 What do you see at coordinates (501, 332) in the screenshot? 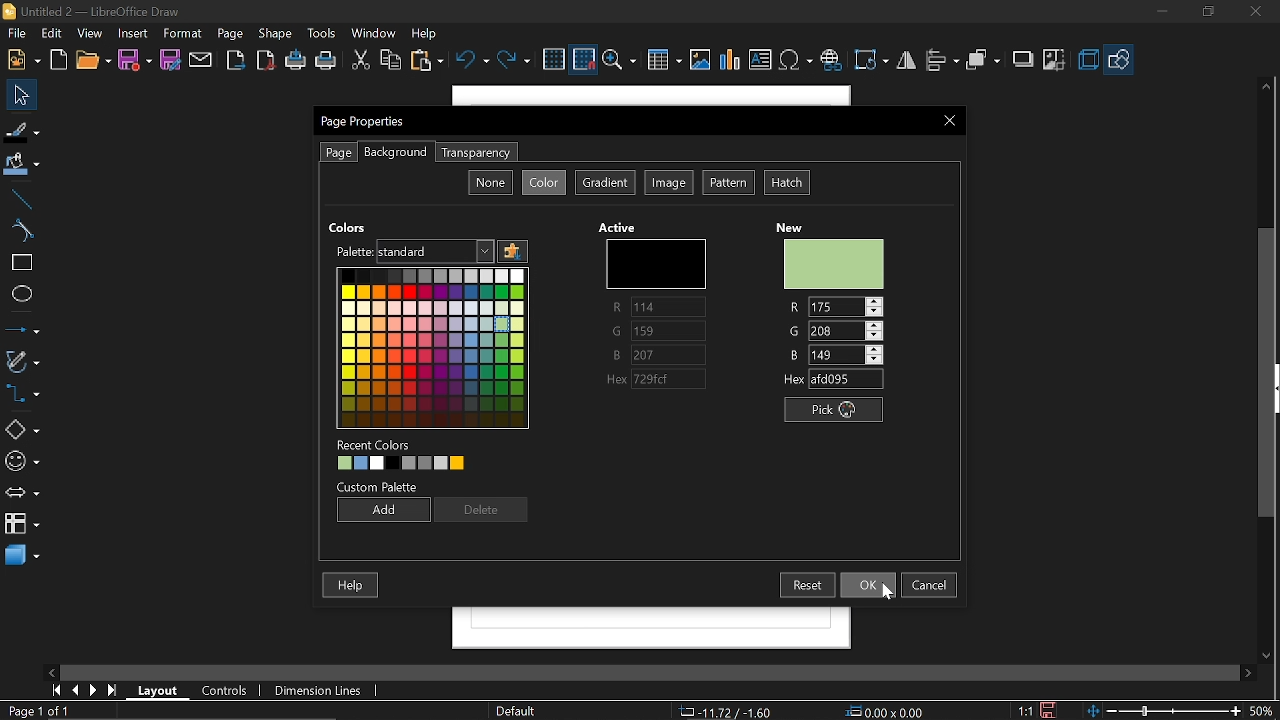
I see `Cursor` at bounding box center [501, 332].